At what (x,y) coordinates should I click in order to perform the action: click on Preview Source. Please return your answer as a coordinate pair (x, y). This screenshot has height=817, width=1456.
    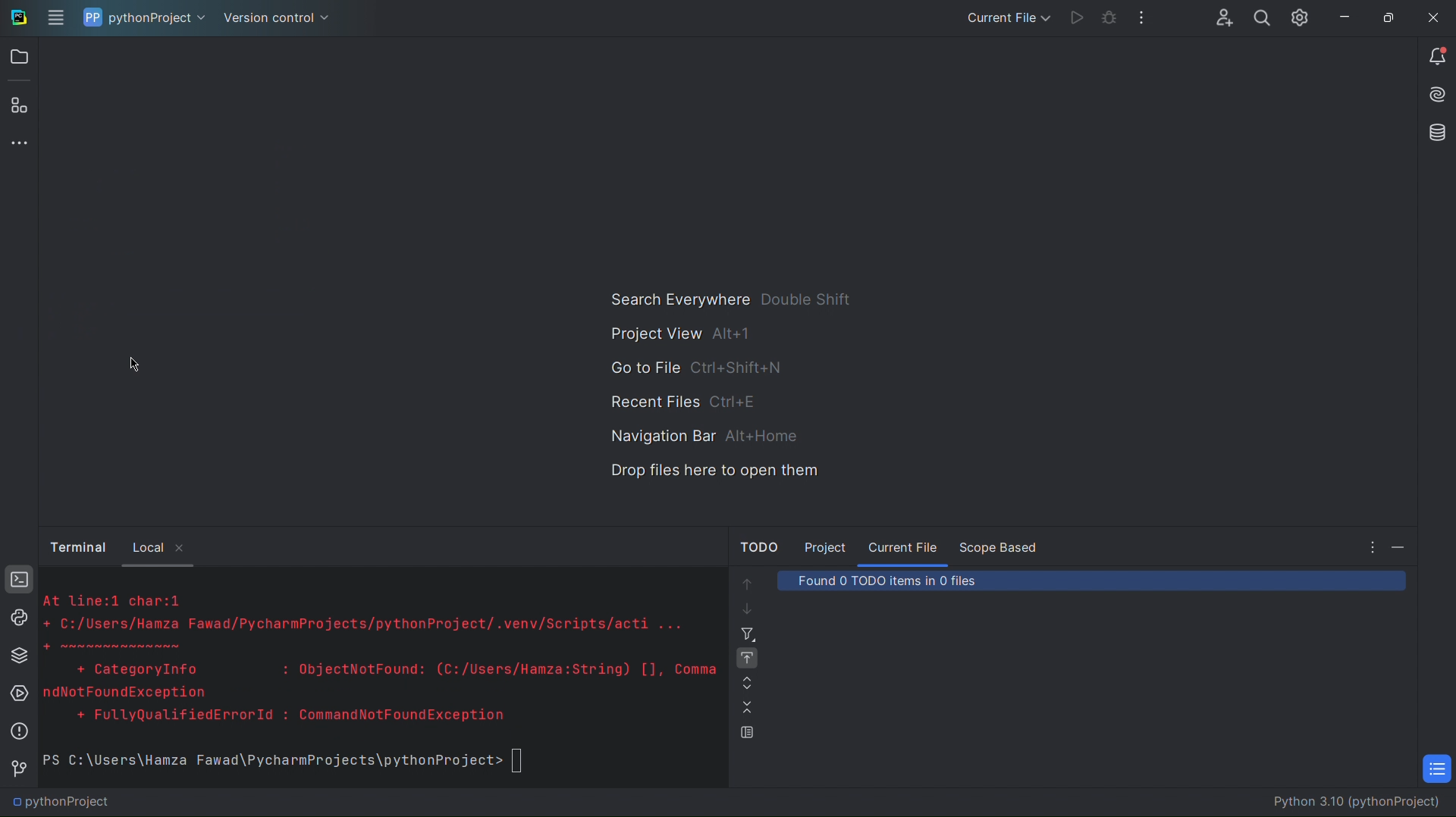
    Looking at the image, I should click on (748, 733).